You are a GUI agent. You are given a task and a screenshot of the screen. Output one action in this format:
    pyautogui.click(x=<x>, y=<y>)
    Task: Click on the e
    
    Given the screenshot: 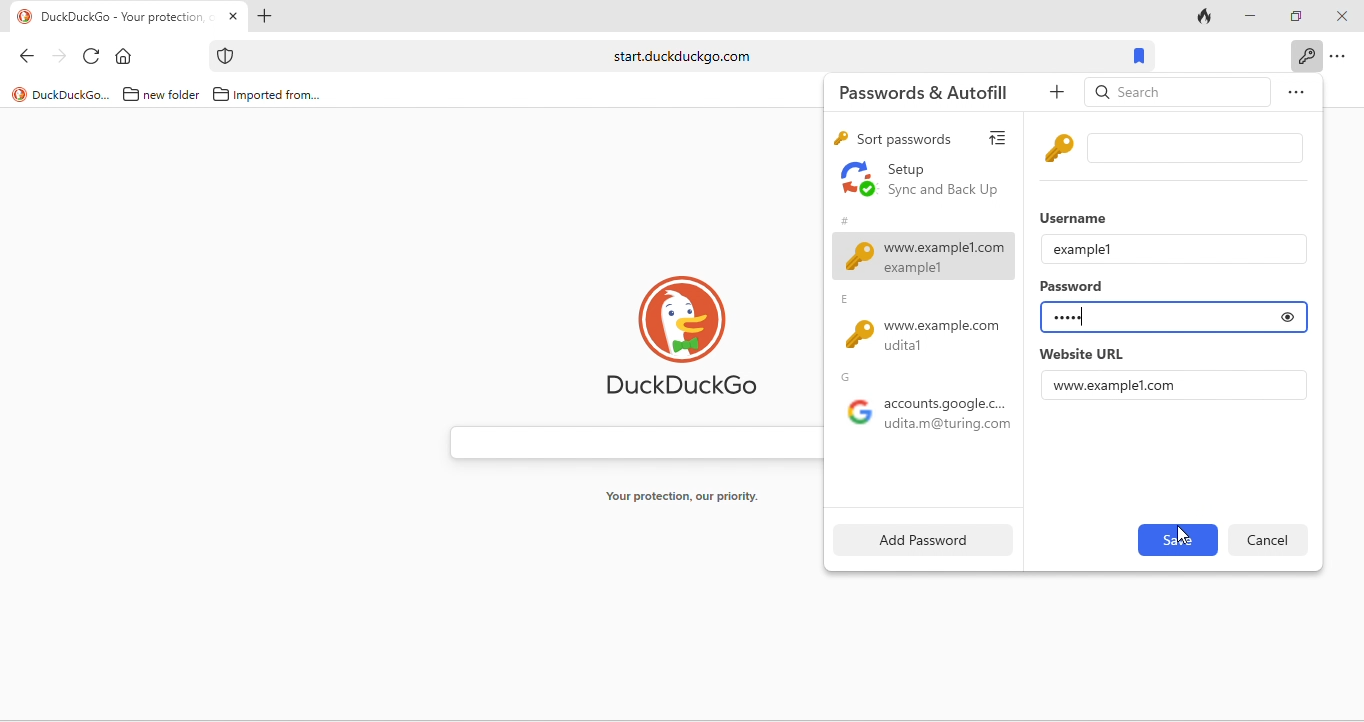 What is the action you would take?
    pyautogui.click(x=849, y=300)
    